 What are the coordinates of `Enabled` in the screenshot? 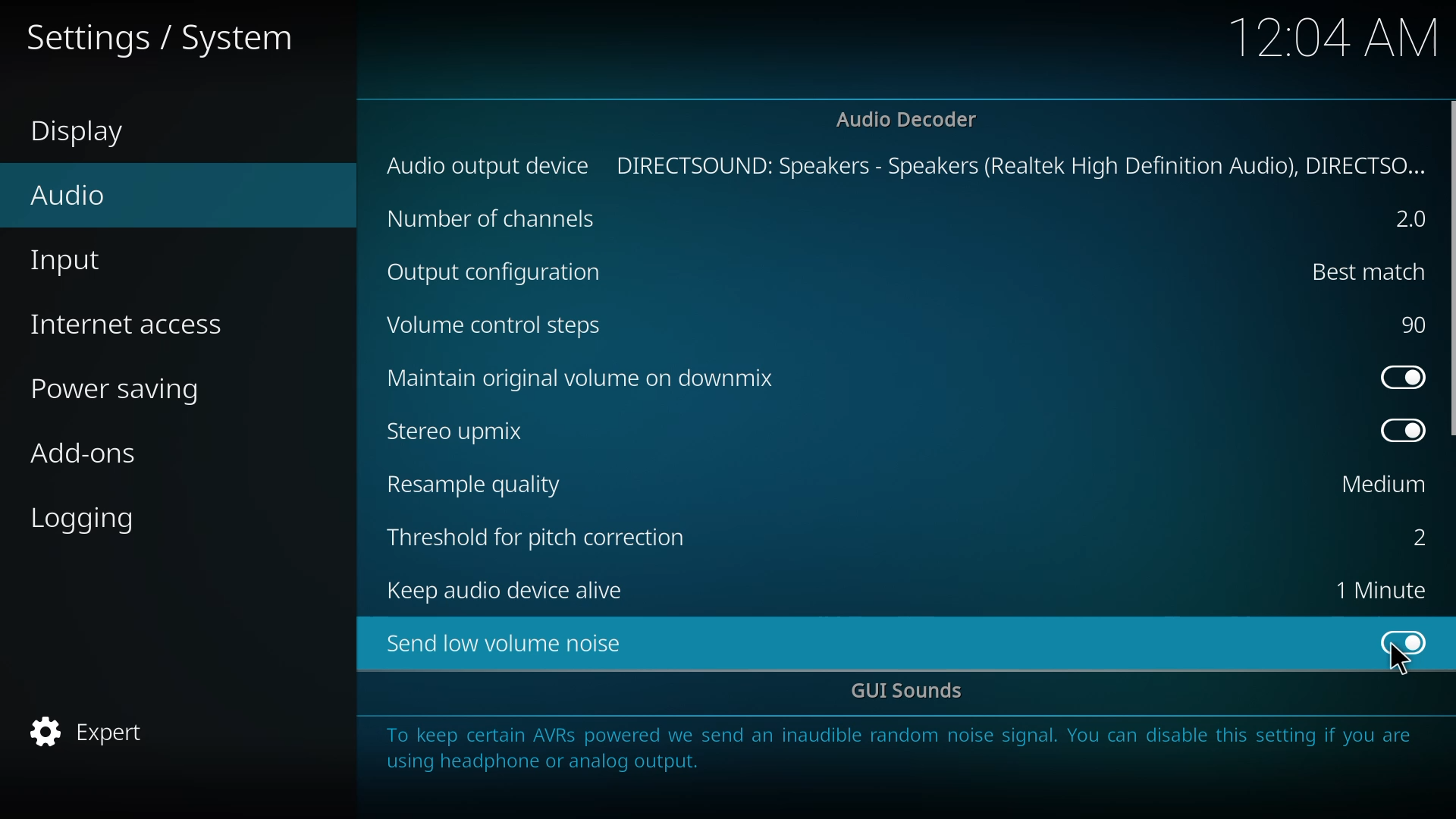 It's located at (1404, 642).